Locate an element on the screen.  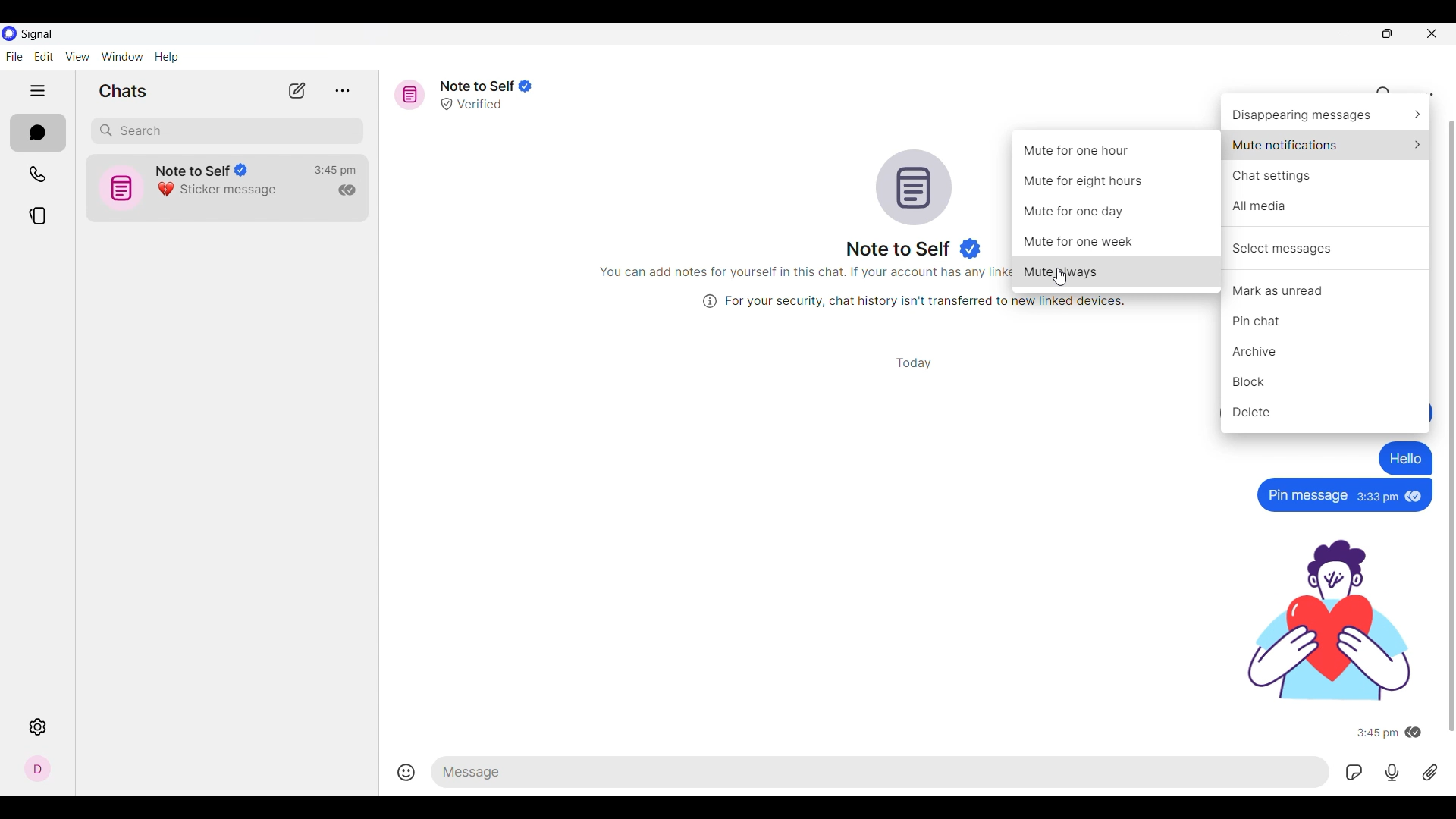
Archive is located at coordinates (1326, 351).